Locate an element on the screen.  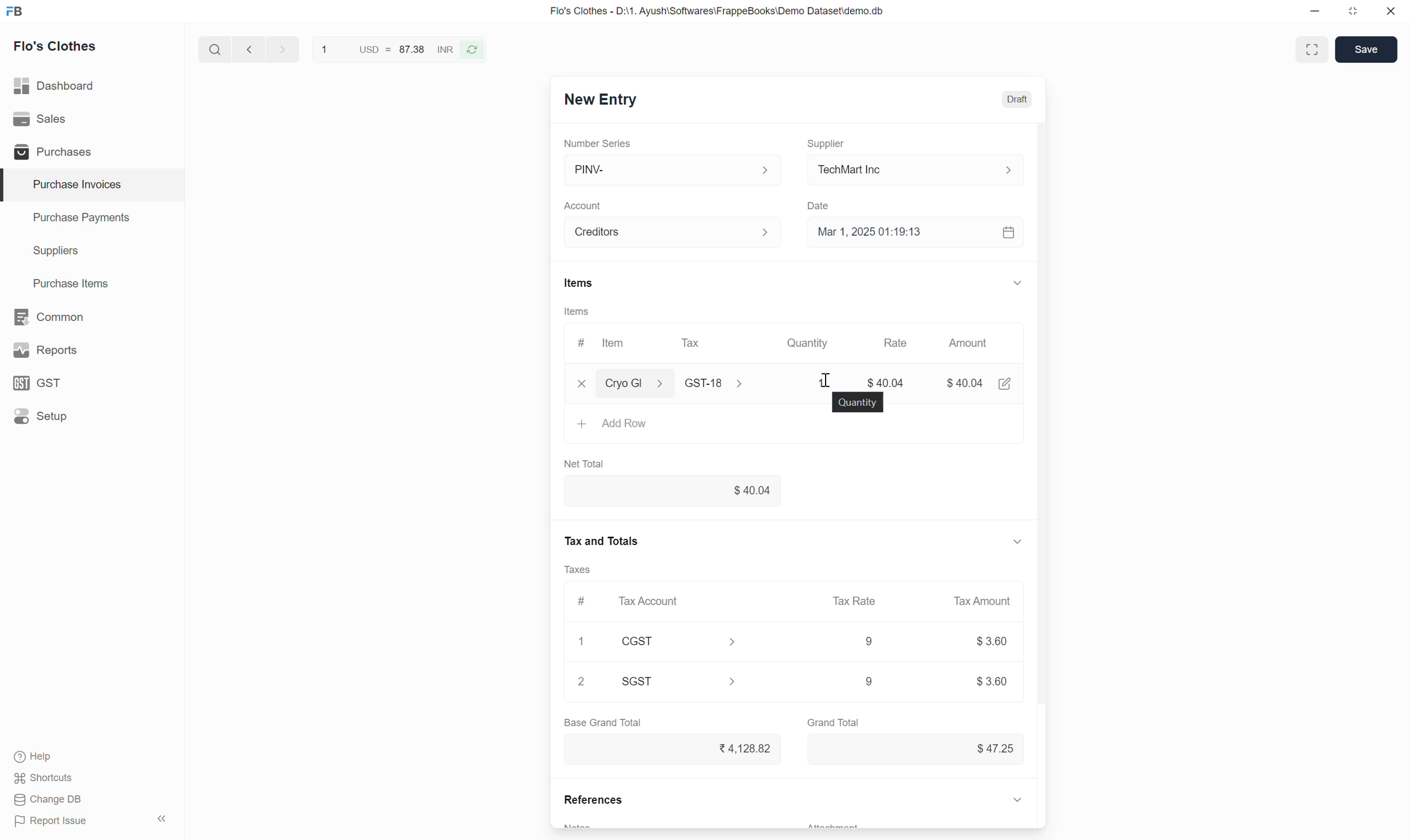
Purchase Invoices is located at coordinates (70, 185).